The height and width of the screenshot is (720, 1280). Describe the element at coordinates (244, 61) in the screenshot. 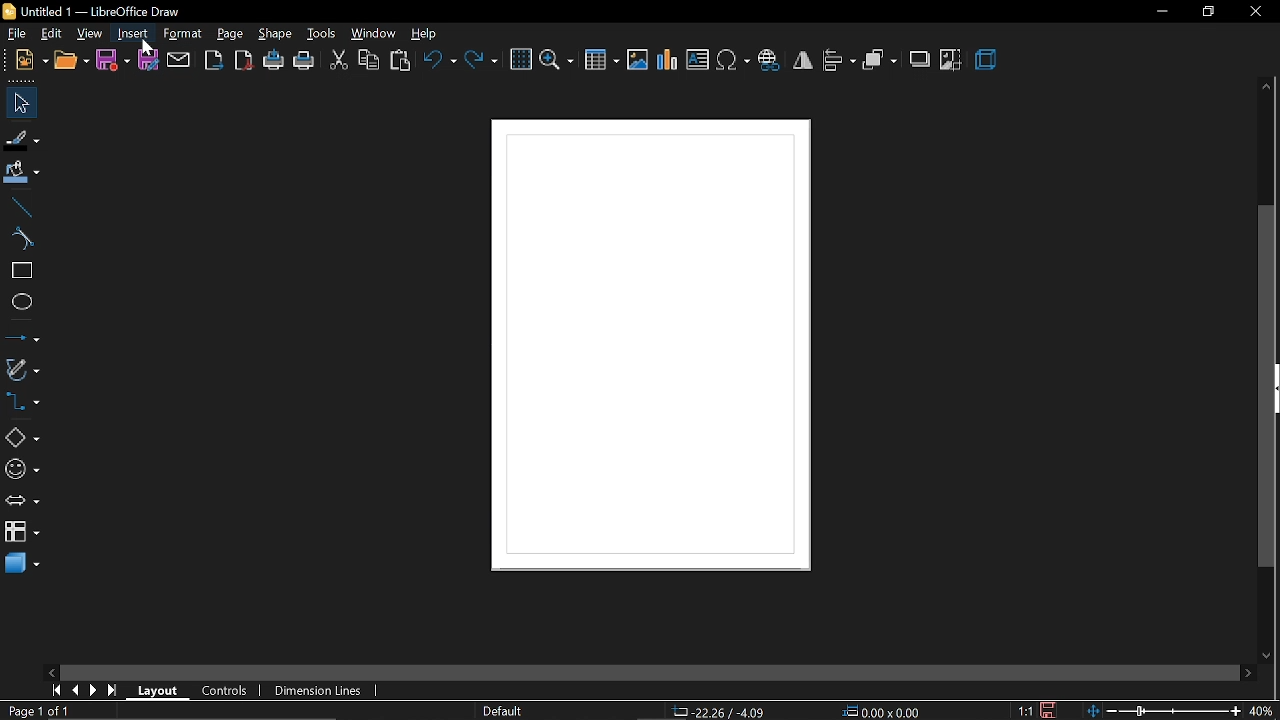

I see `export as pdf` at that location.